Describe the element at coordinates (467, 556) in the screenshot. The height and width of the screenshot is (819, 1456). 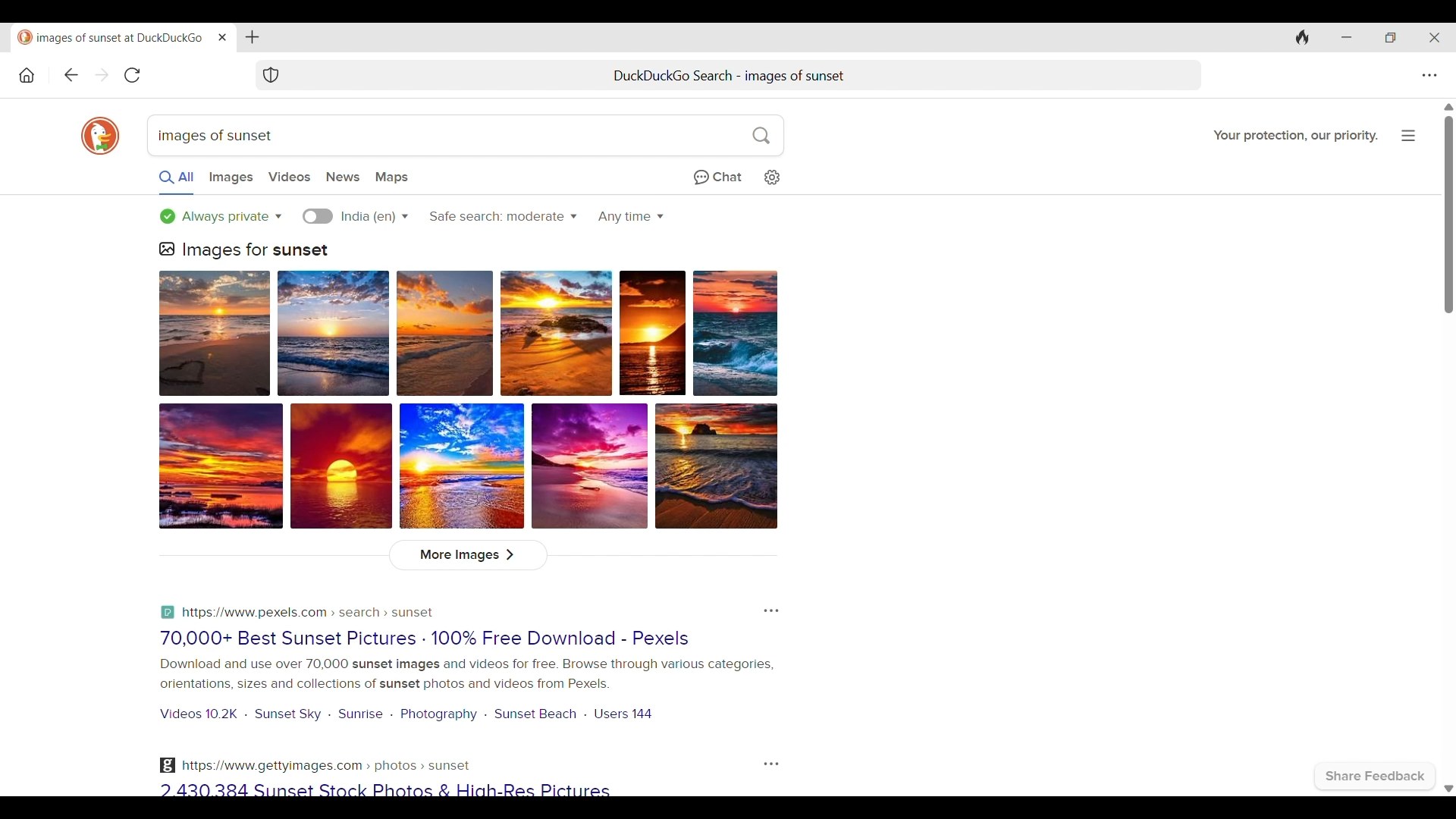
I see `Show more images` at that location.